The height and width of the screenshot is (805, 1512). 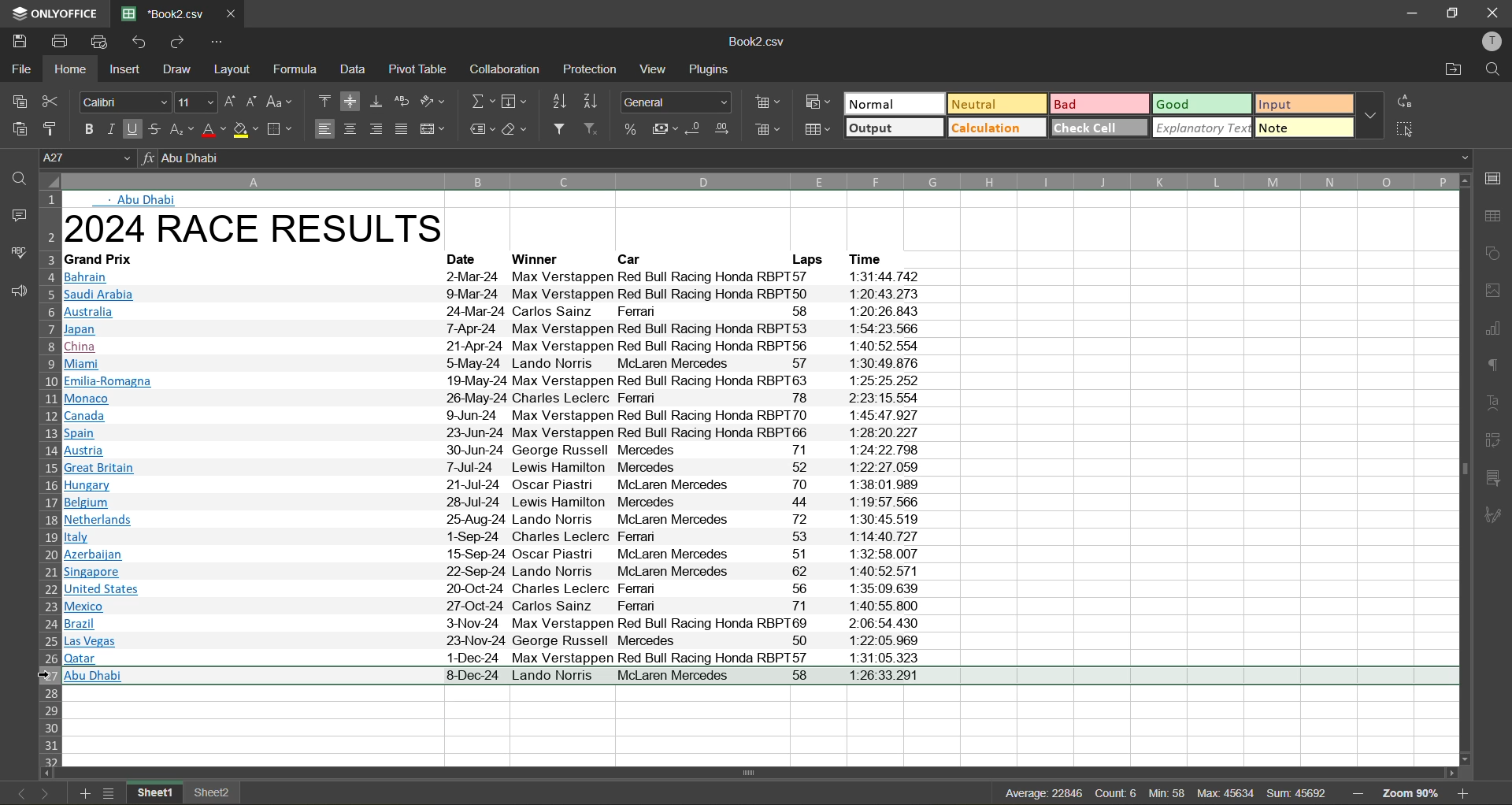 What do you see at coordinates (19, 128) in the screenshot?
I see `paste` at bounding box center [19, 128].